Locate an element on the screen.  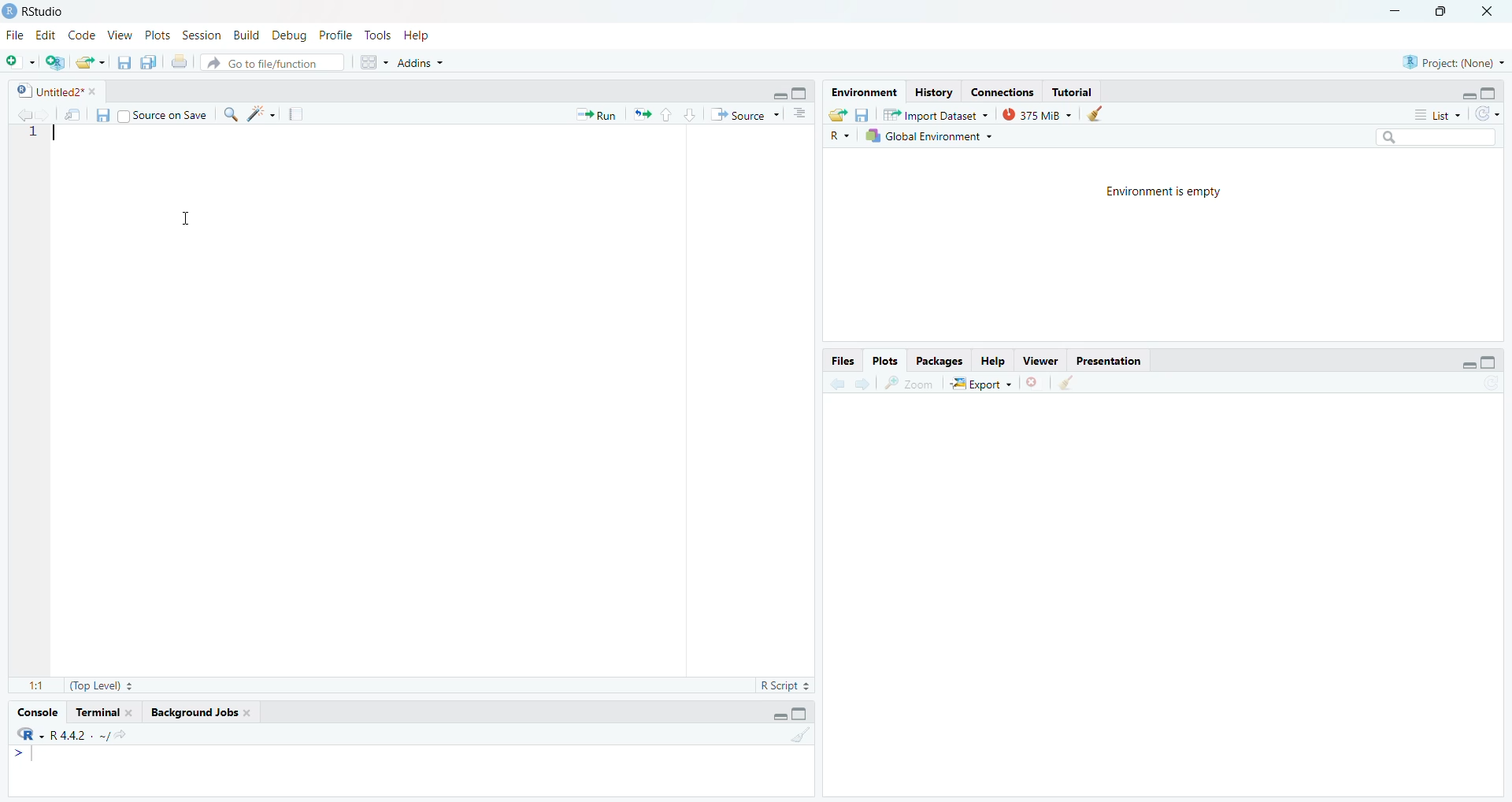
compile reports is located at coordinates (298, 117).